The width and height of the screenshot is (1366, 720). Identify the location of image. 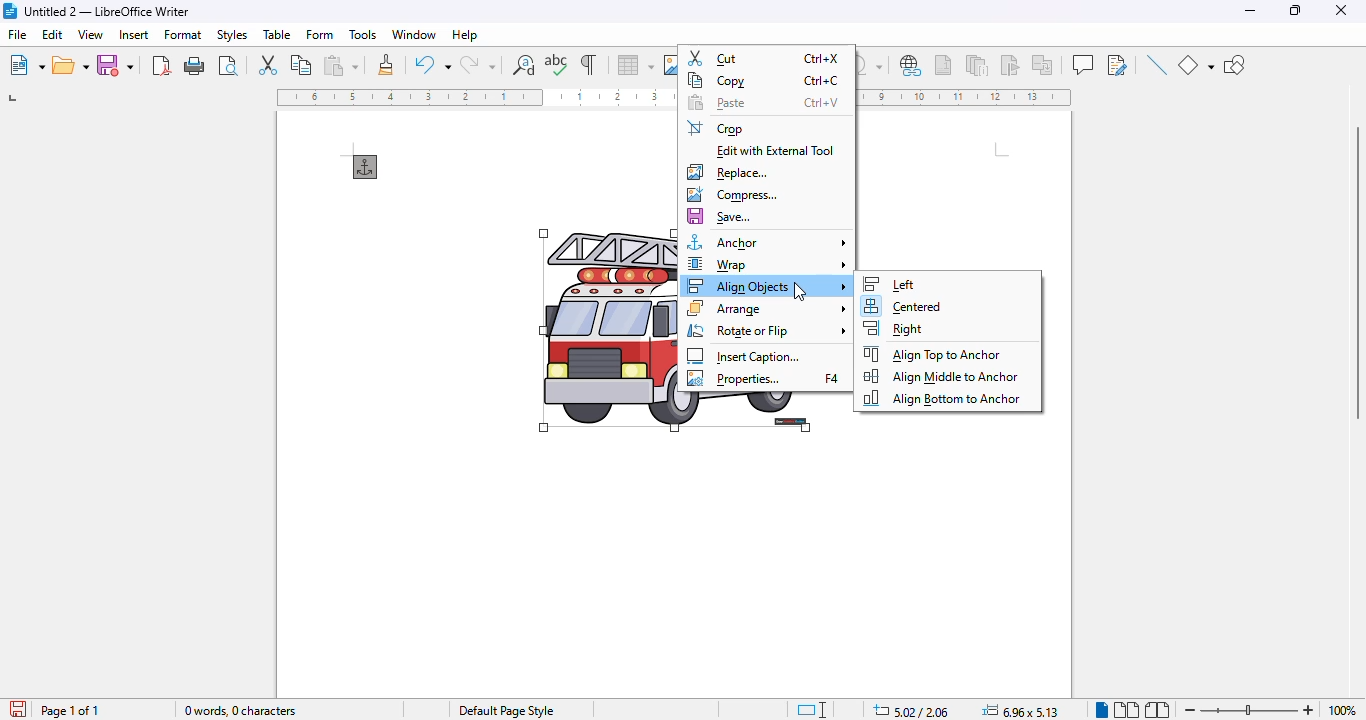
(607, 332).